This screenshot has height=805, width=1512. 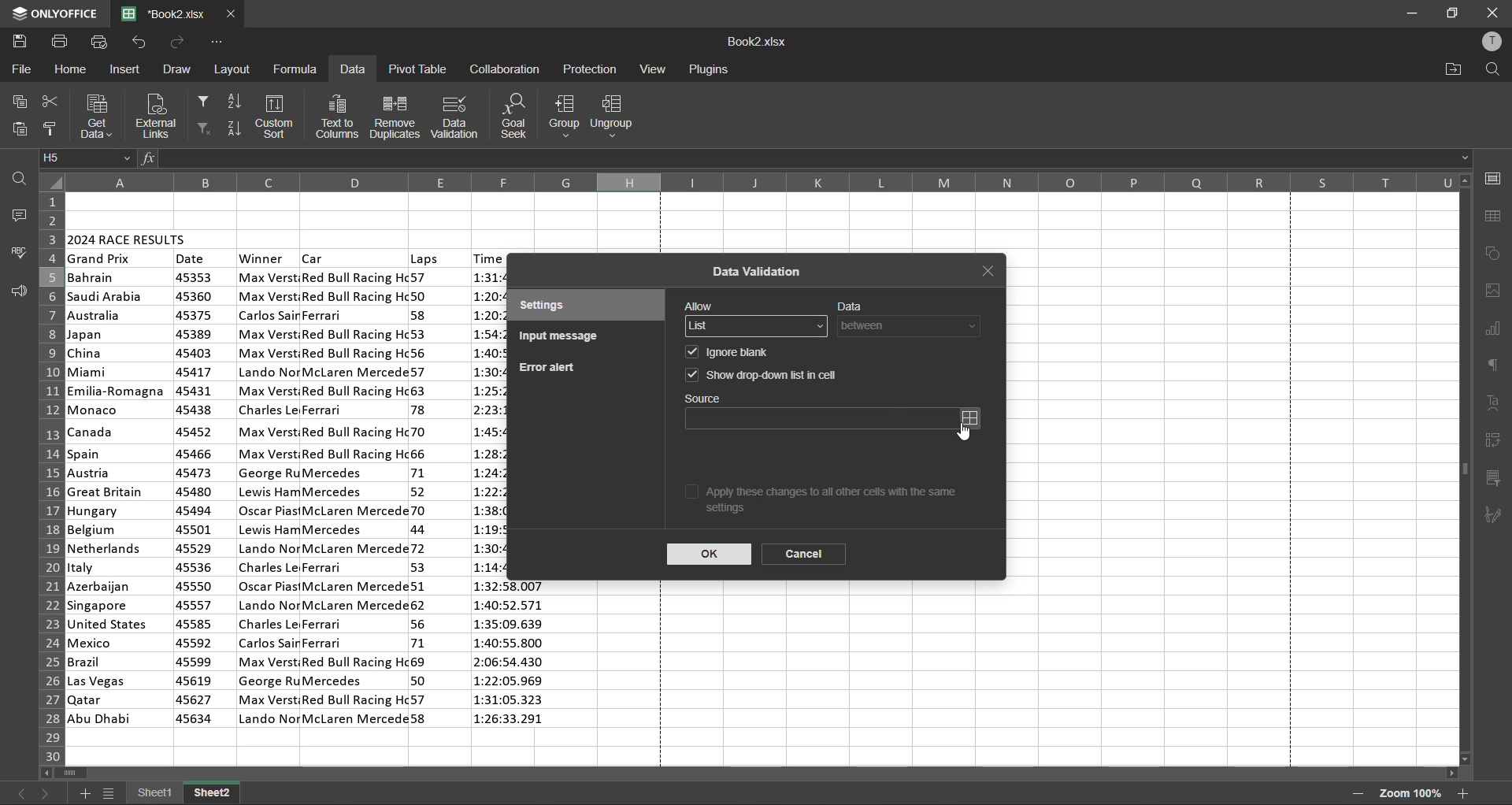 I want to click on text to columns, so click(x=338, y=117).